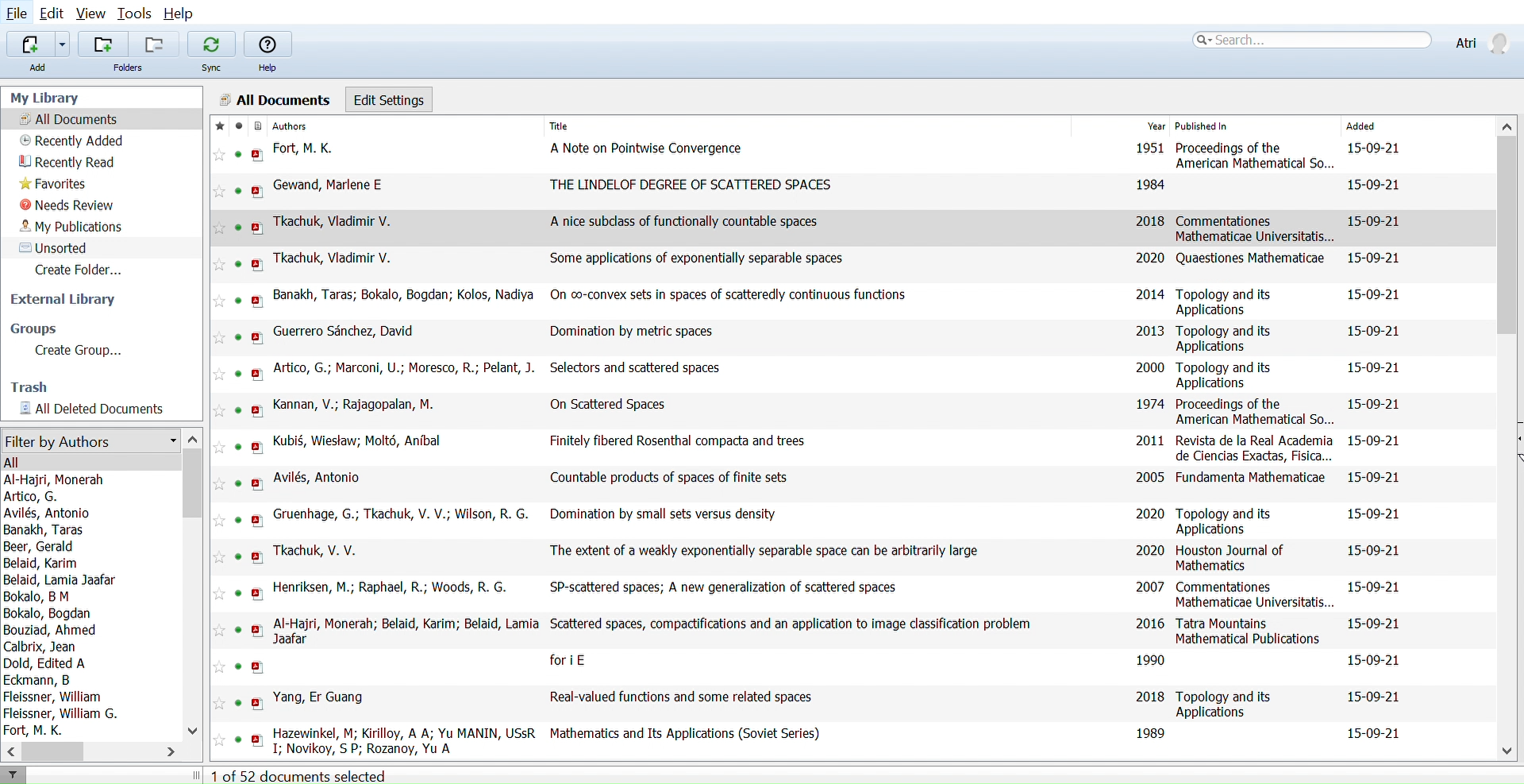  I want to click on Bouziad, Ahmed, so click(52, 631).